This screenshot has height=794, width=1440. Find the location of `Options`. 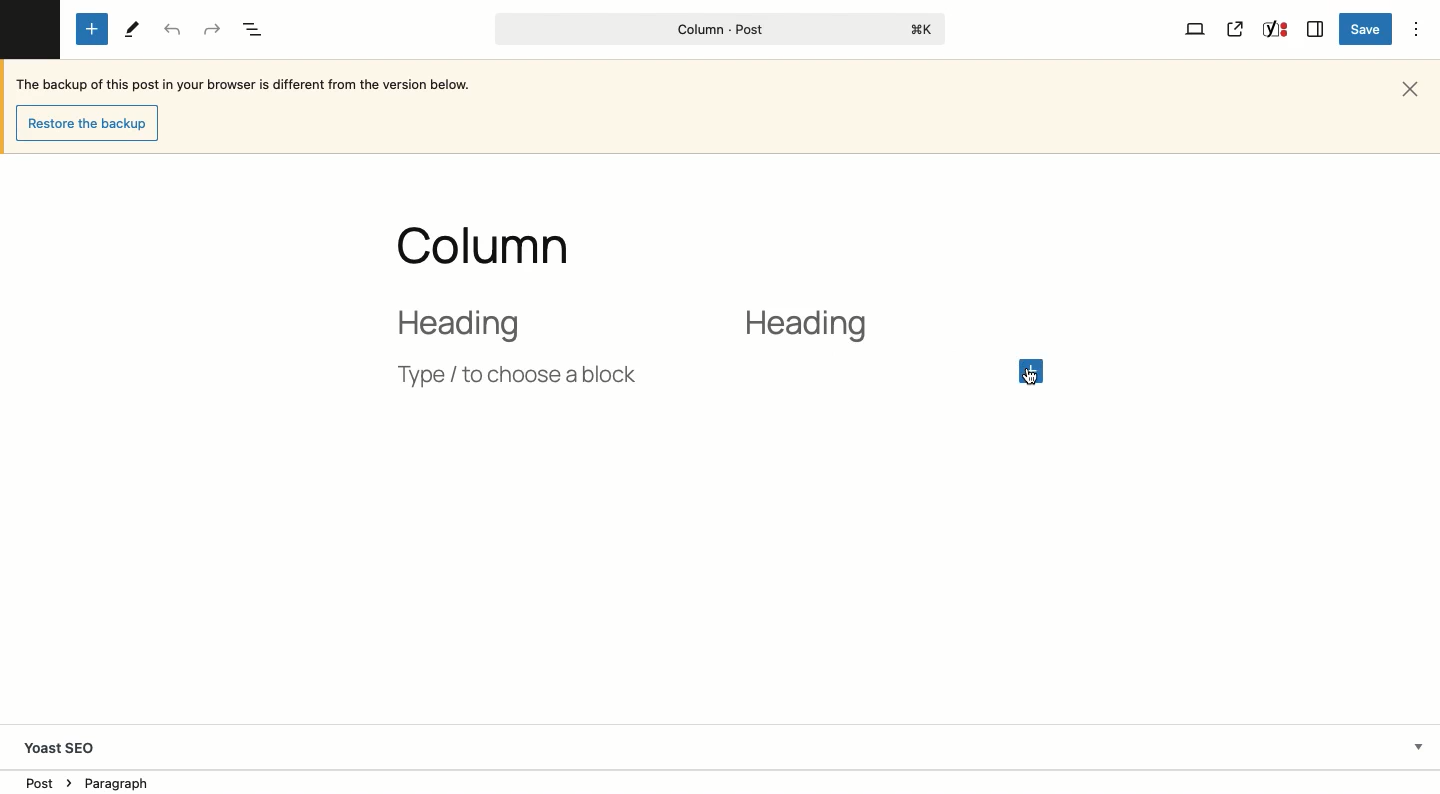

Options is located at coordinates (1418, 28).